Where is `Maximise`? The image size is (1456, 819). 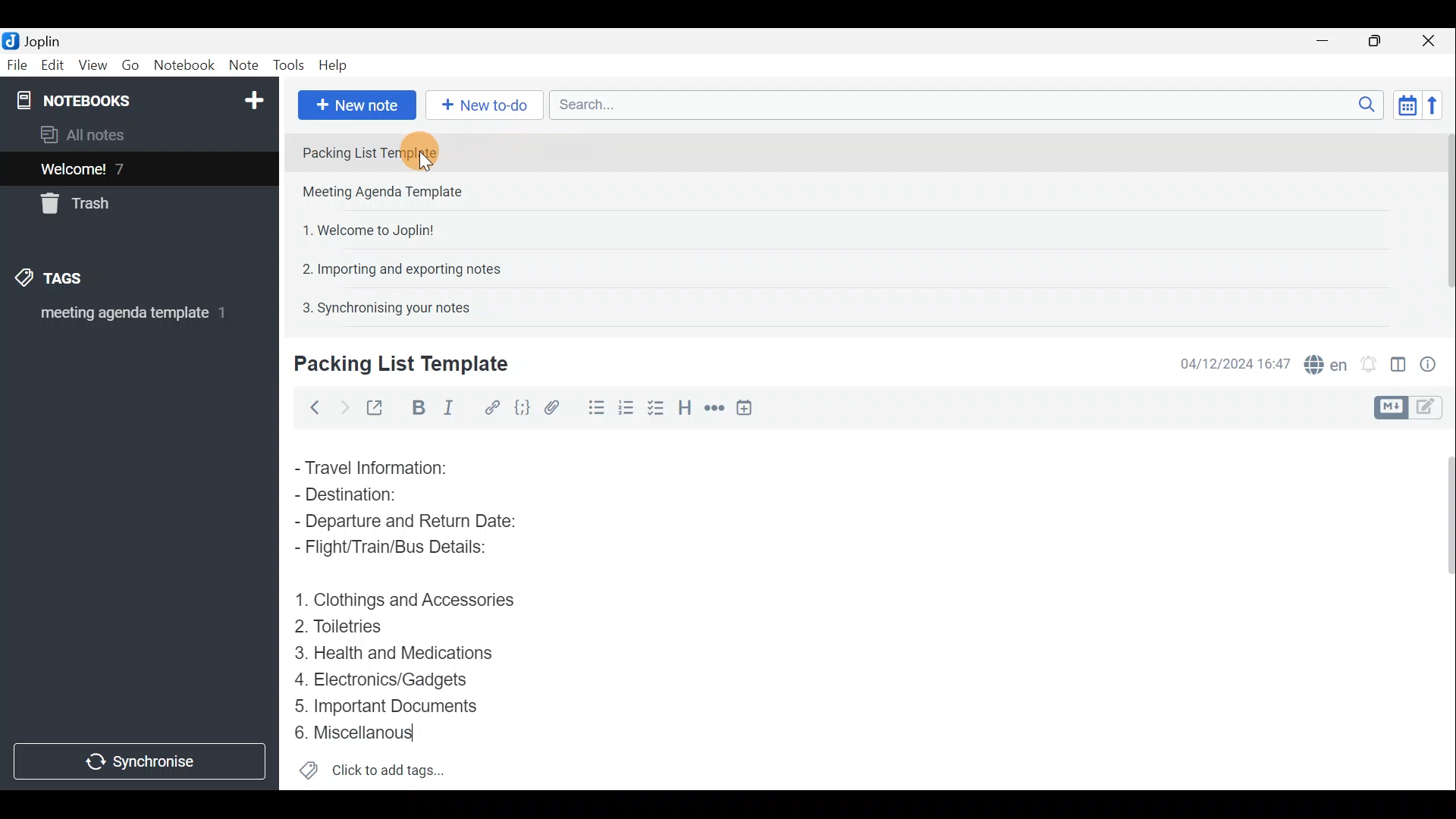
Maximise is located at coordinates (1380, 41).